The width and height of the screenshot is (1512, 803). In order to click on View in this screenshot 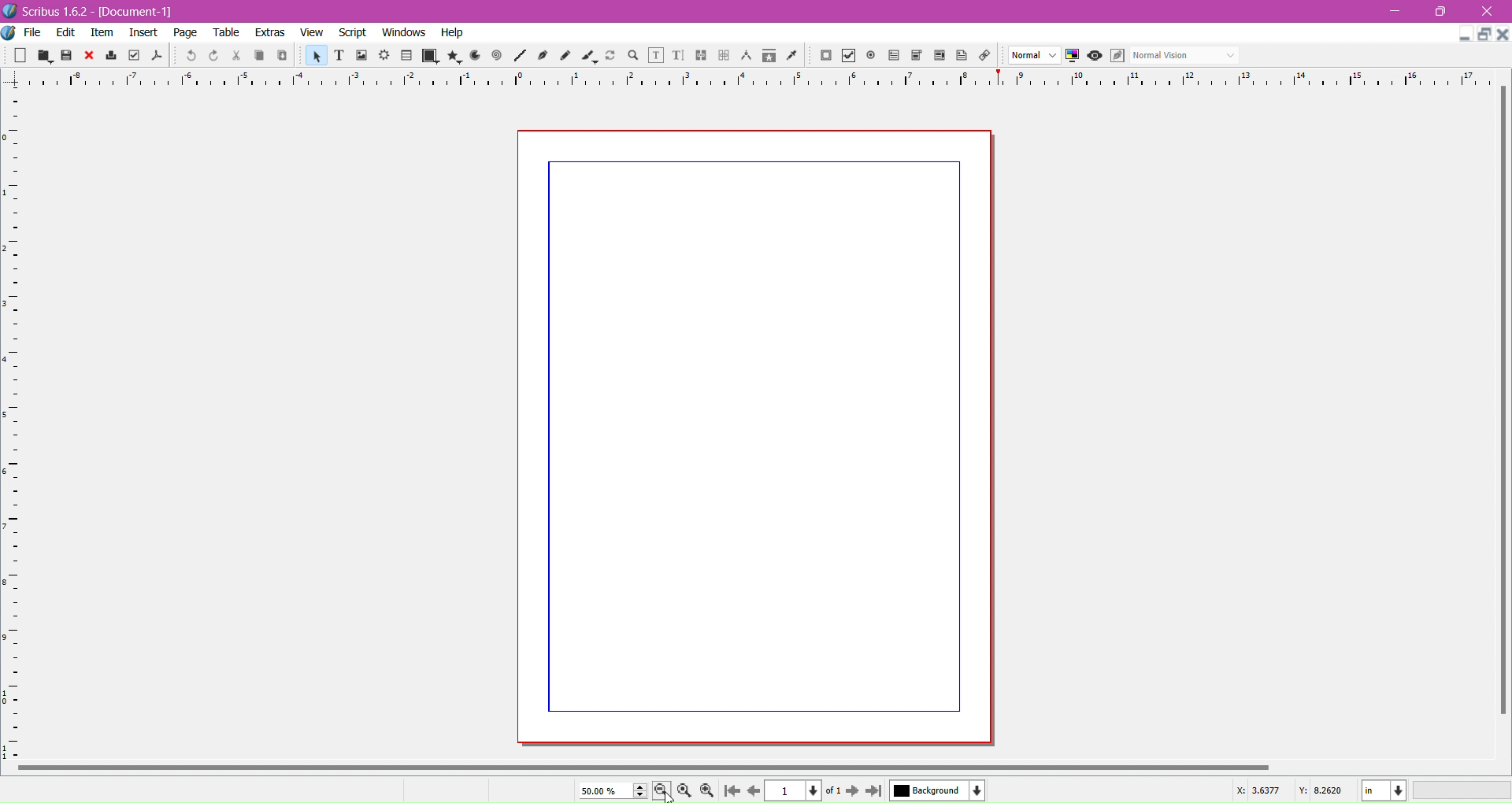, I will do `click(311, 31)`.